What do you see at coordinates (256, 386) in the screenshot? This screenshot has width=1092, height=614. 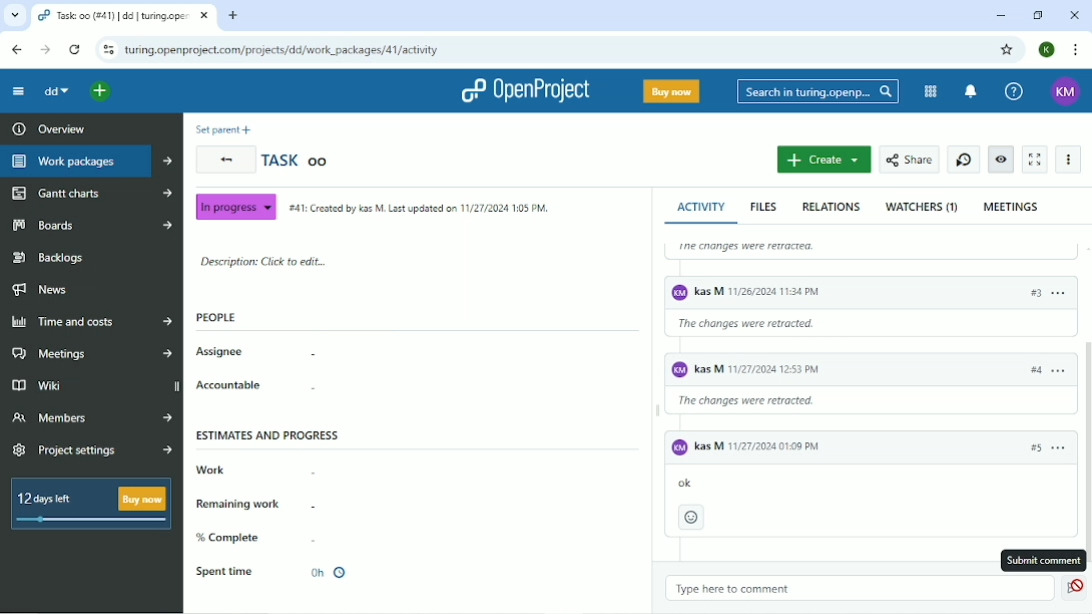 I see `Accountable` at bounding box center [256, 386].